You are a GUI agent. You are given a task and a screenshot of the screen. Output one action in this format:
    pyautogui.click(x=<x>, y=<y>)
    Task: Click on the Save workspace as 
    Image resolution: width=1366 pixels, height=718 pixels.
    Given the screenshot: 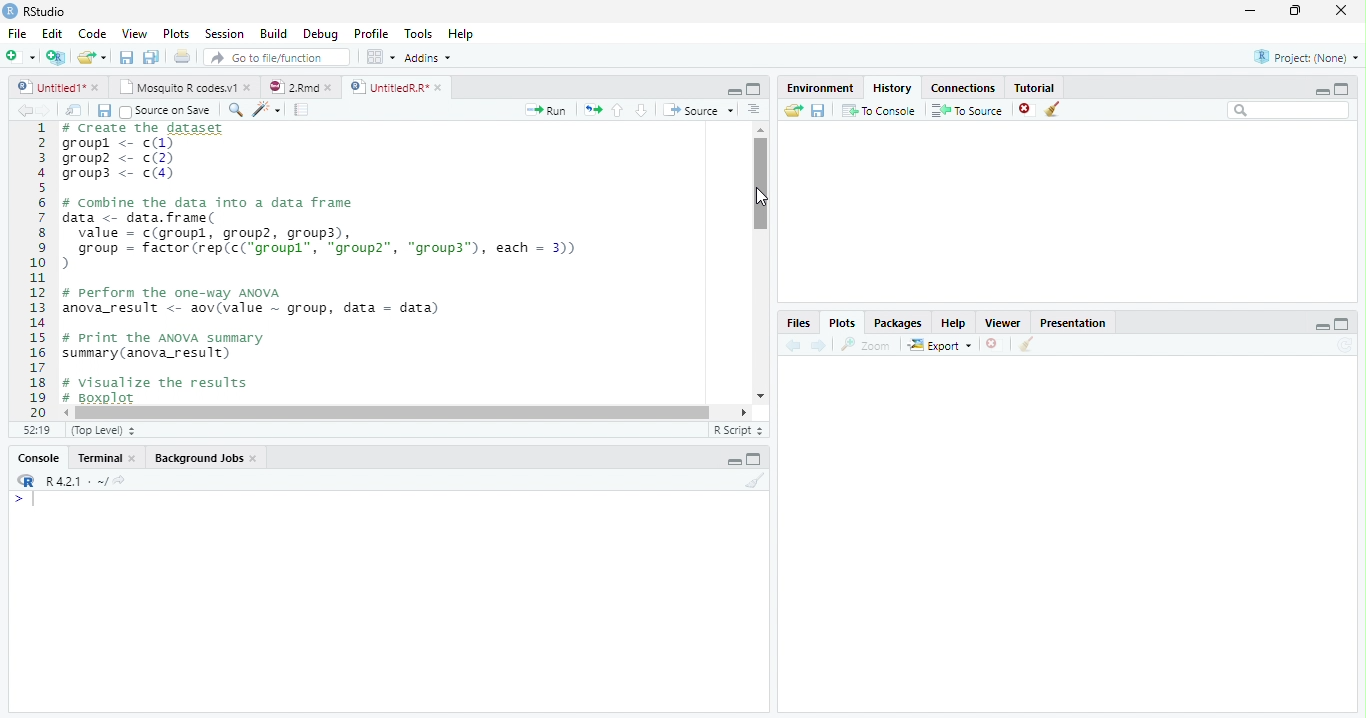 What is the action you would take?
    pyautogui.click(x=821, y=111)
    